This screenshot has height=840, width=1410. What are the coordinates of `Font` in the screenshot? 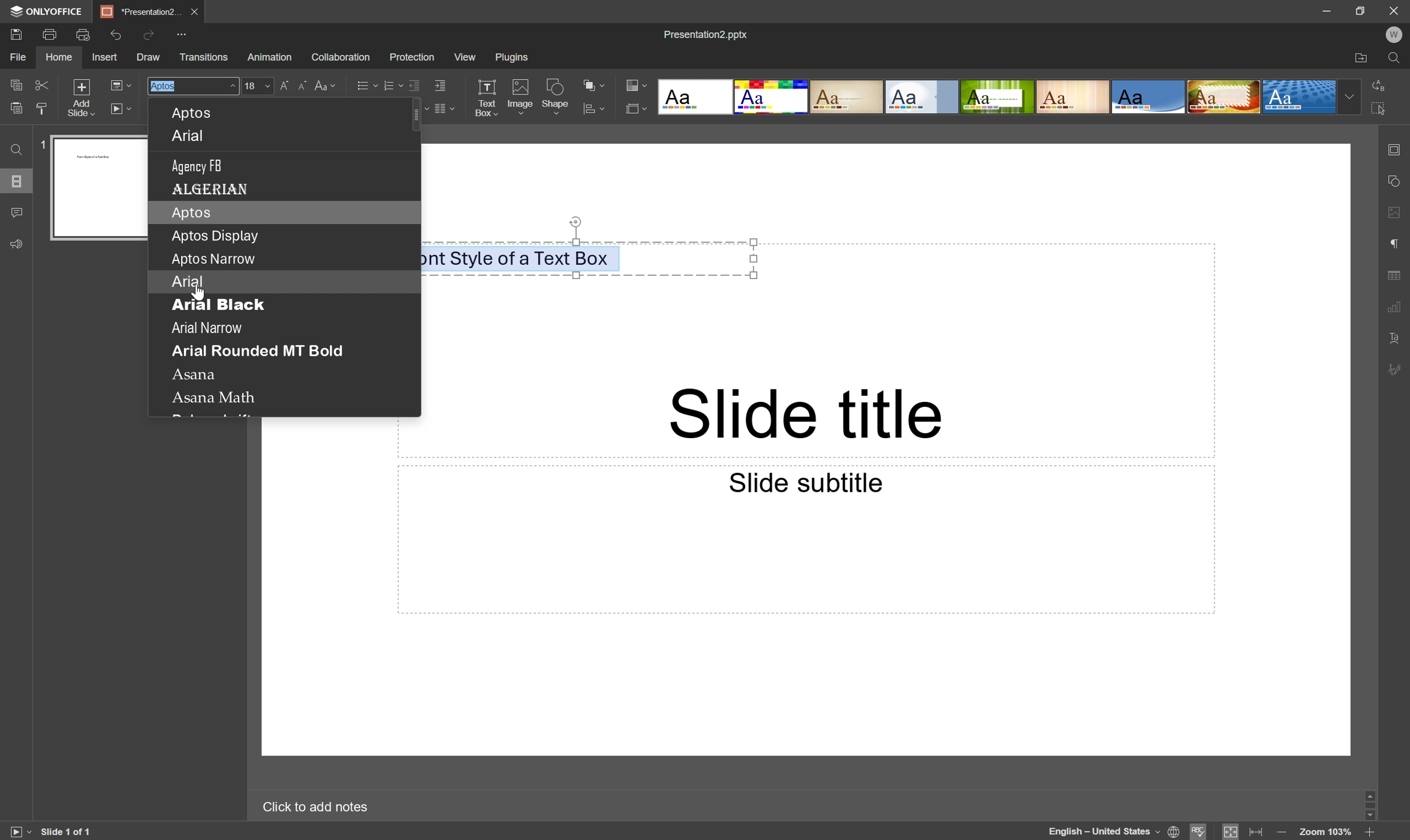 It's located at (192, 84).